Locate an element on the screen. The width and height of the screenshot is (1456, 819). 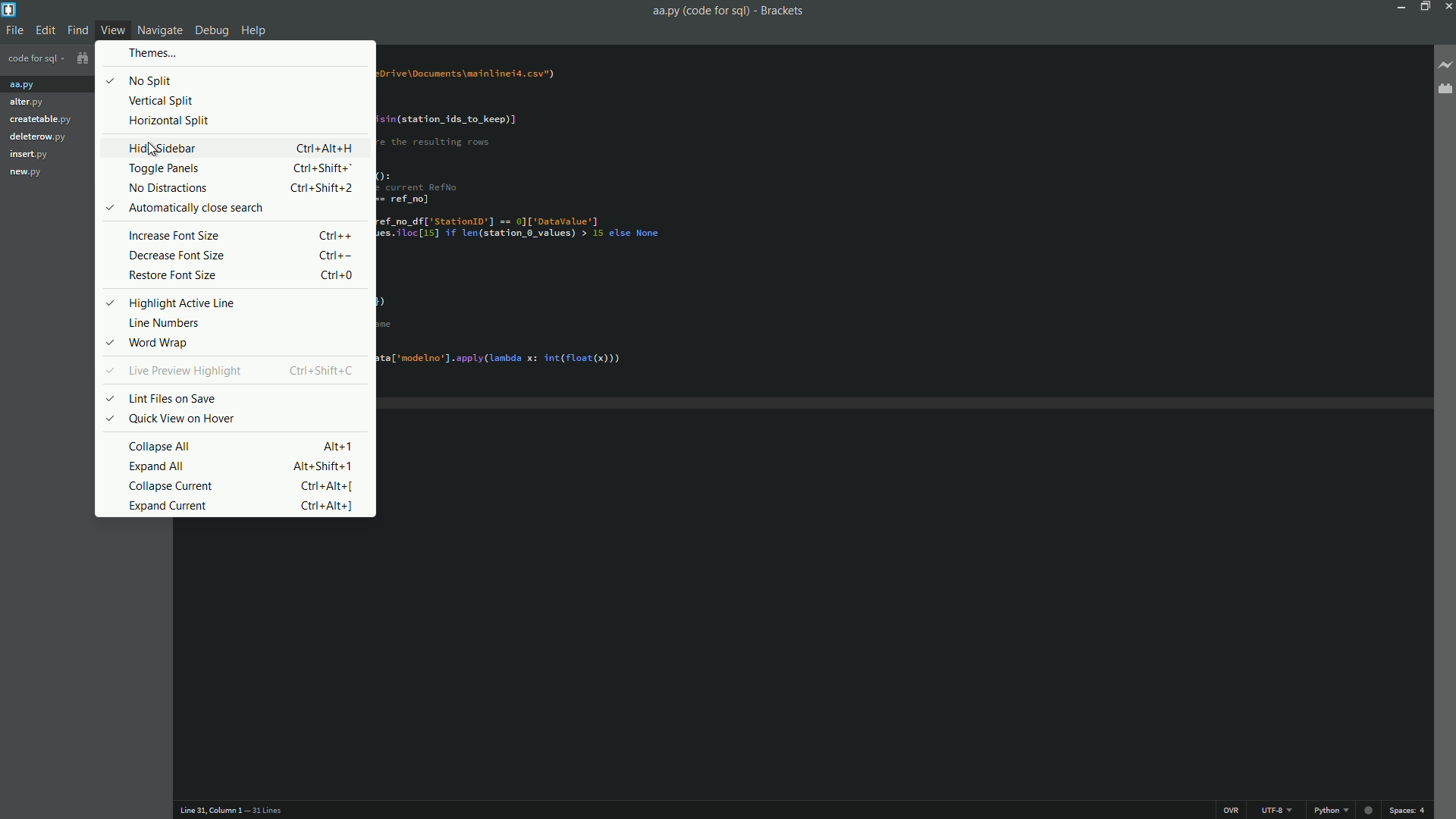
find menu is located at coordinates (78, 30).